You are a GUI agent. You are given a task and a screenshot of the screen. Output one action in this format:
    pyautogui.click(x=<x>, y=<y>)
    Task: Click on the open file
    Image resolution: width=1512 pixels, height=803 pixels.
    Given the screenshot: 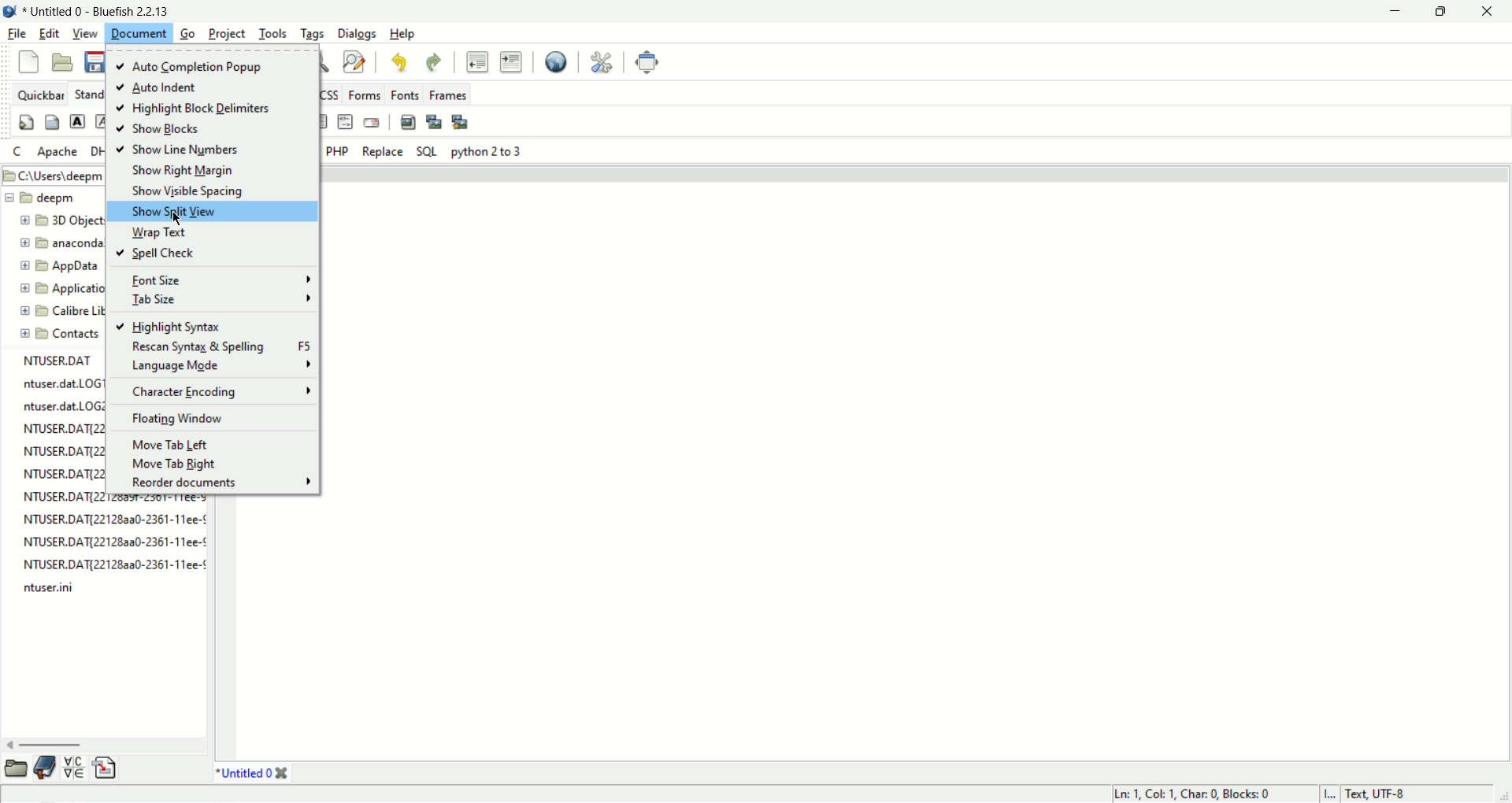 What is the action you would take?
    pyautogui.click(x=64, y=62)
    